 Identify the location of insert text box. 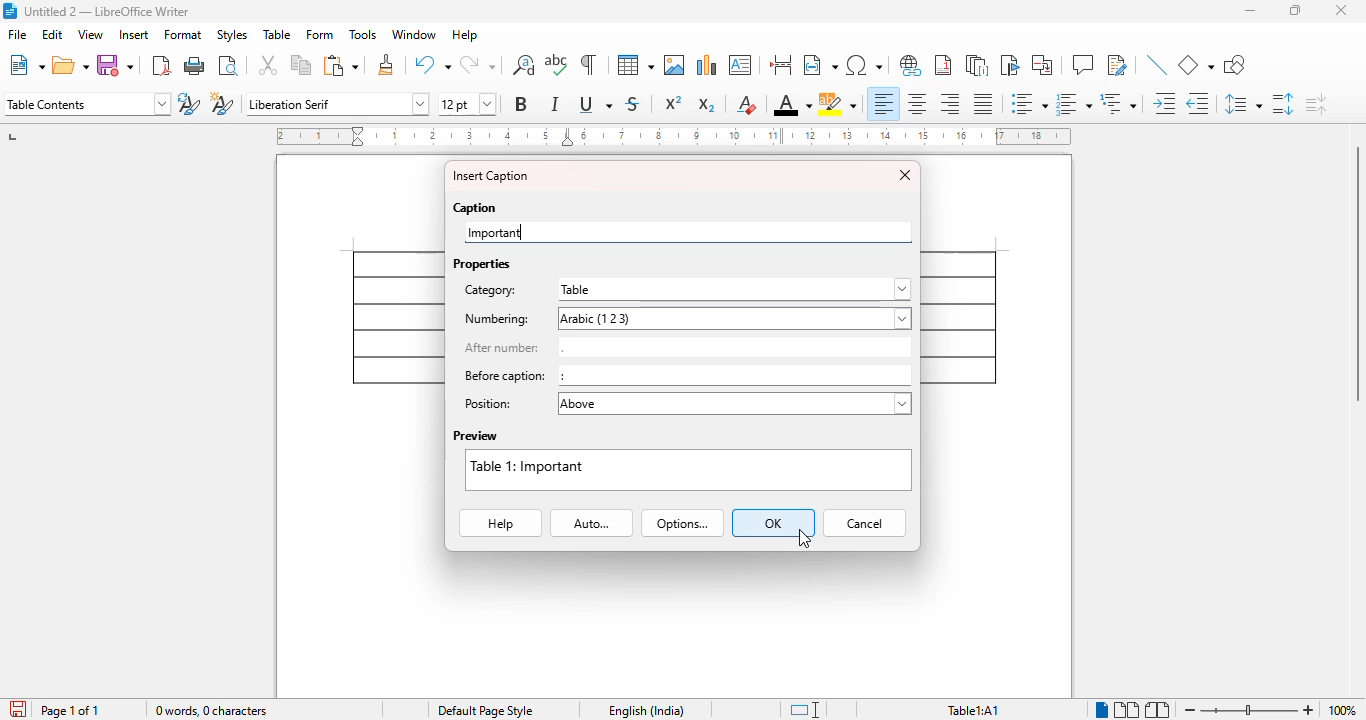
(740, 65).